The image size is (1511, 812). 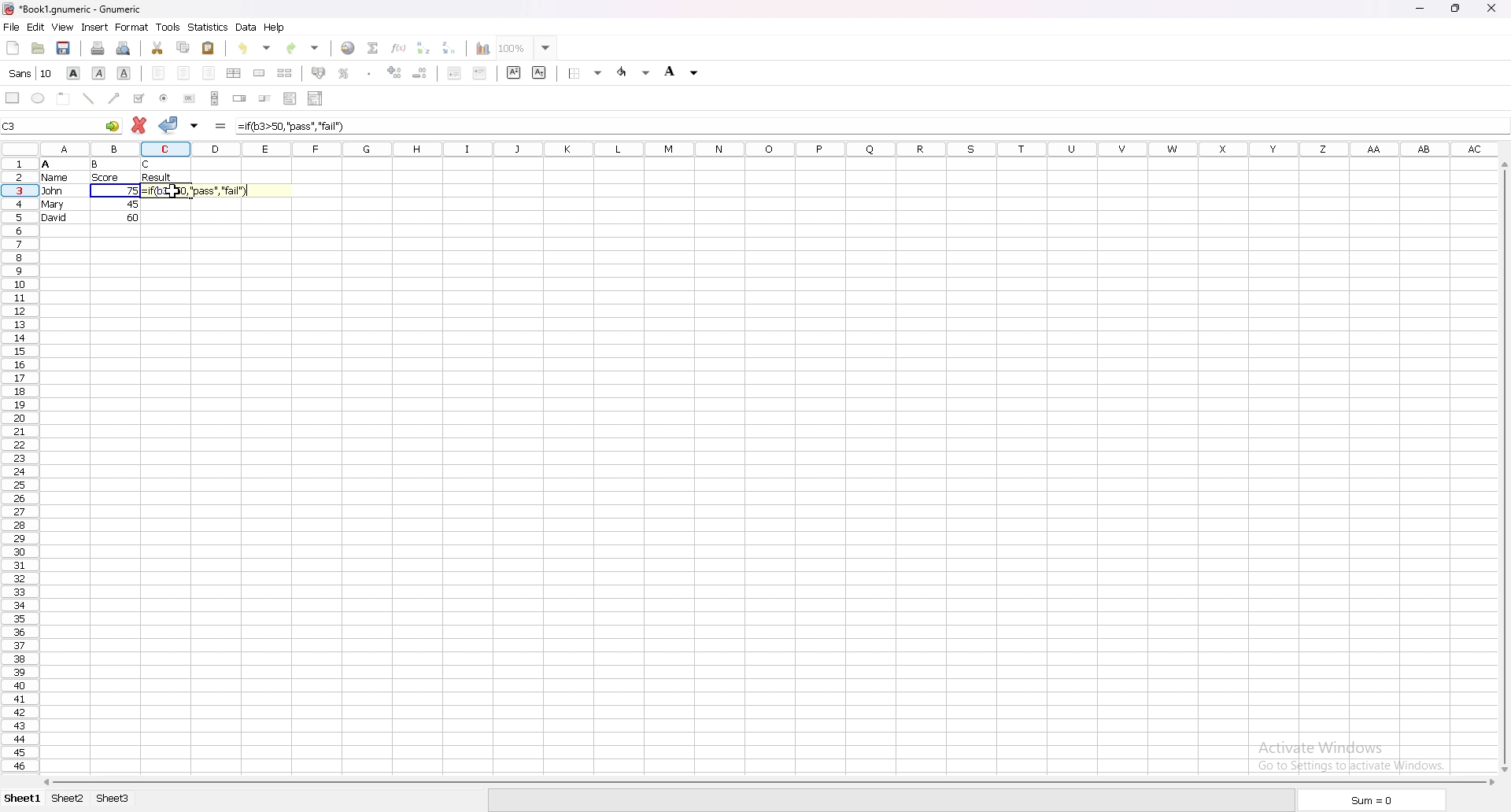 I want to click on redo, so click(x=303, y=49).